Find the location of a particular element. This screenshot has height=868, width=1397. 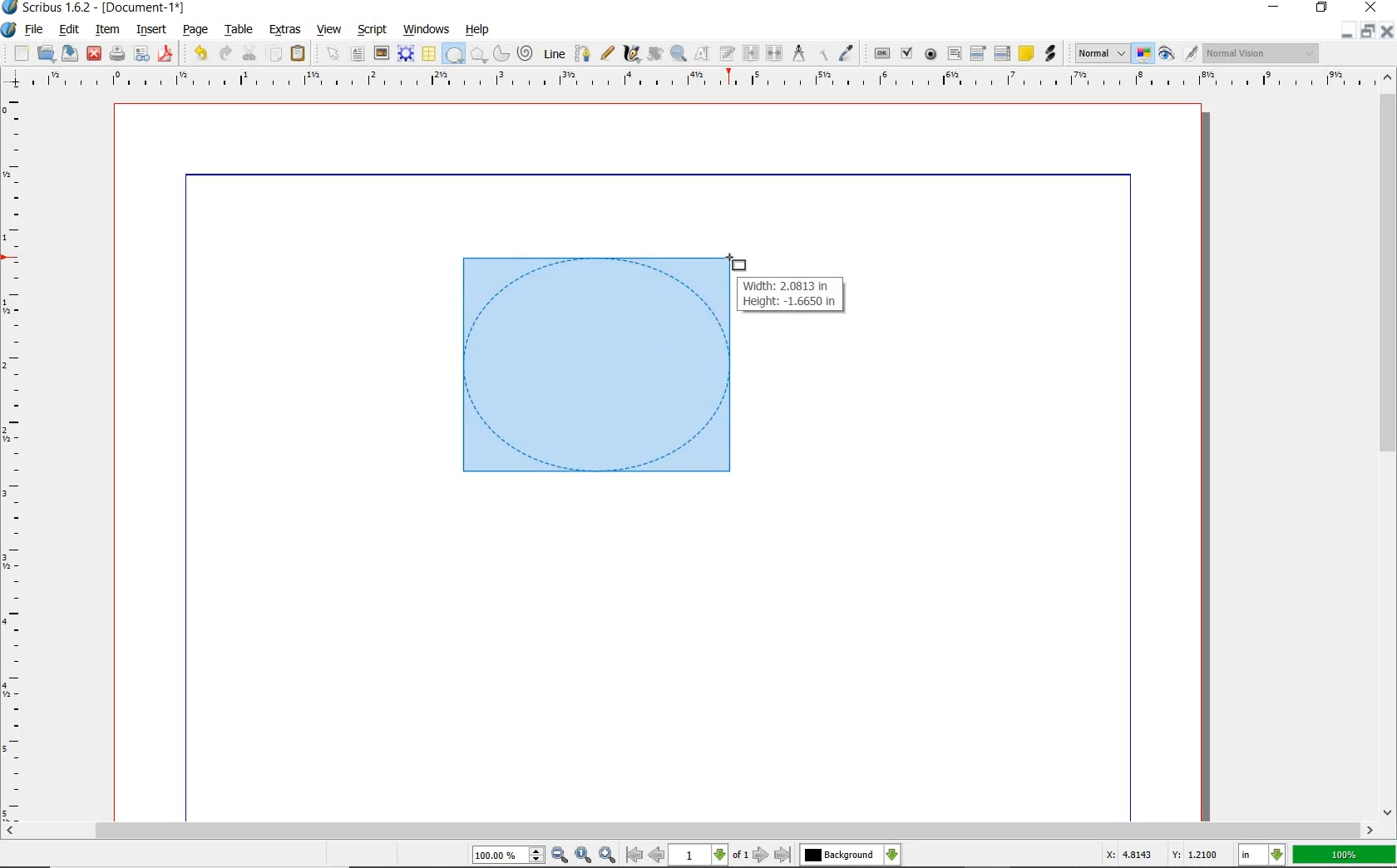

width & height measurements is located at coordinates (792, 293).